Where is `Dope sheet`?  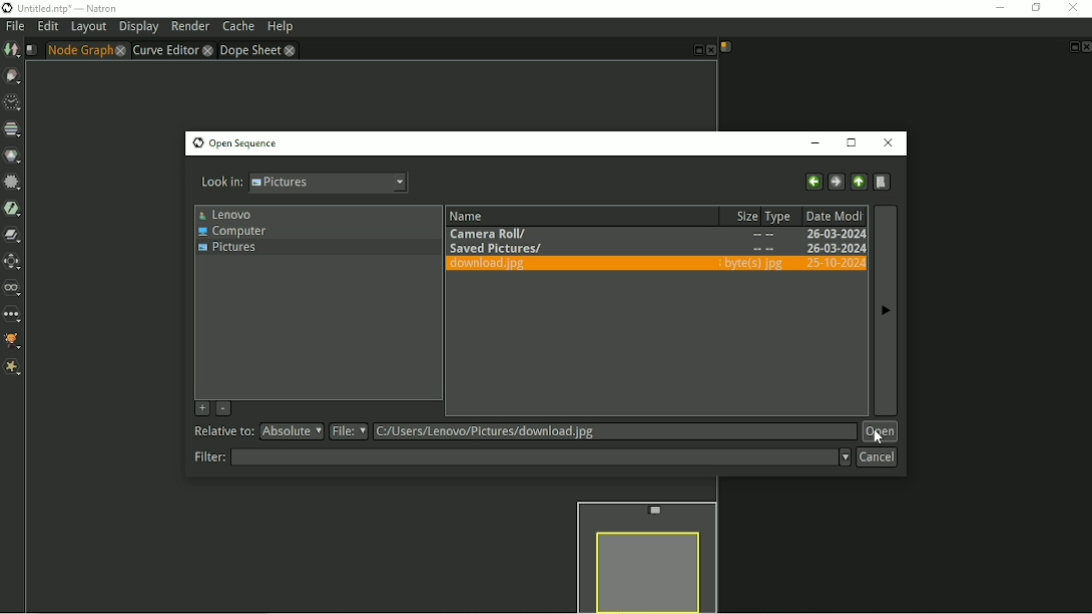
Dope sheet is located at coordinates (258, 50).